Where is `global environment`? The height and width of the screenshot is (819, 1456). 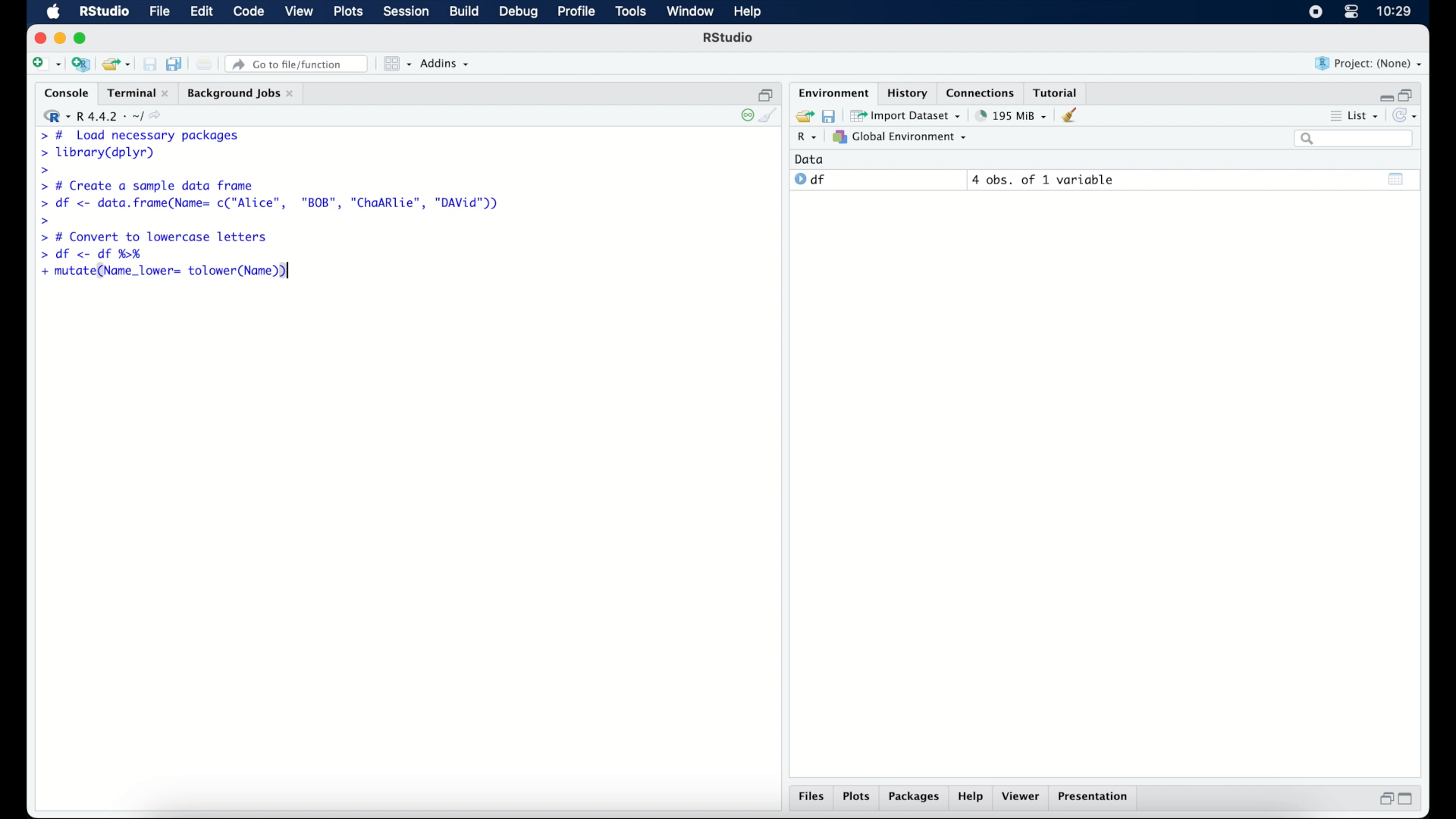 global environment is located at coordinates (900, 137).